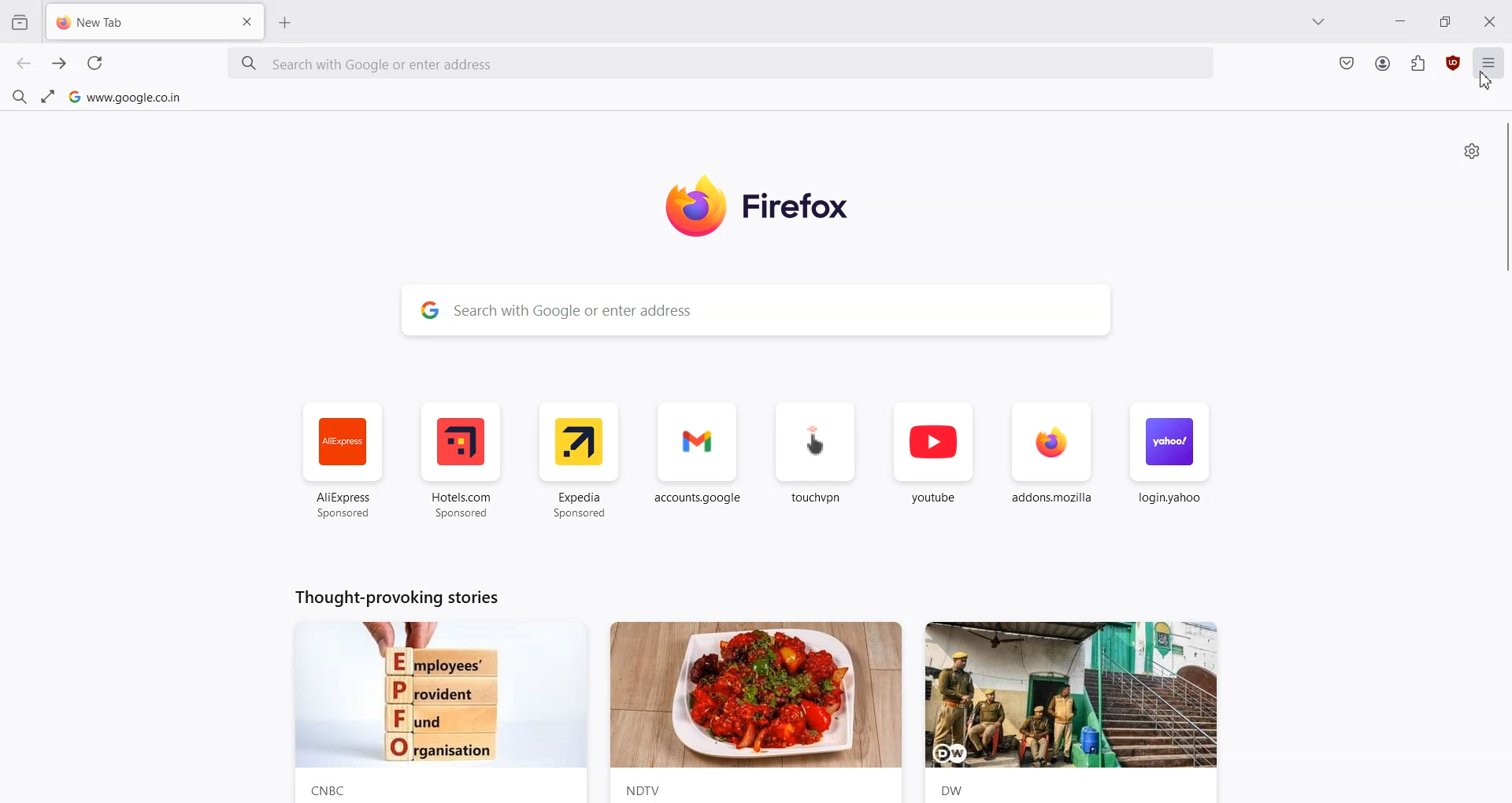 The image size is (1512, 803). What do you see at coordinates (1400, 20) in the screenshot?
I see `Minimize` at bounding box center [1400, 20].